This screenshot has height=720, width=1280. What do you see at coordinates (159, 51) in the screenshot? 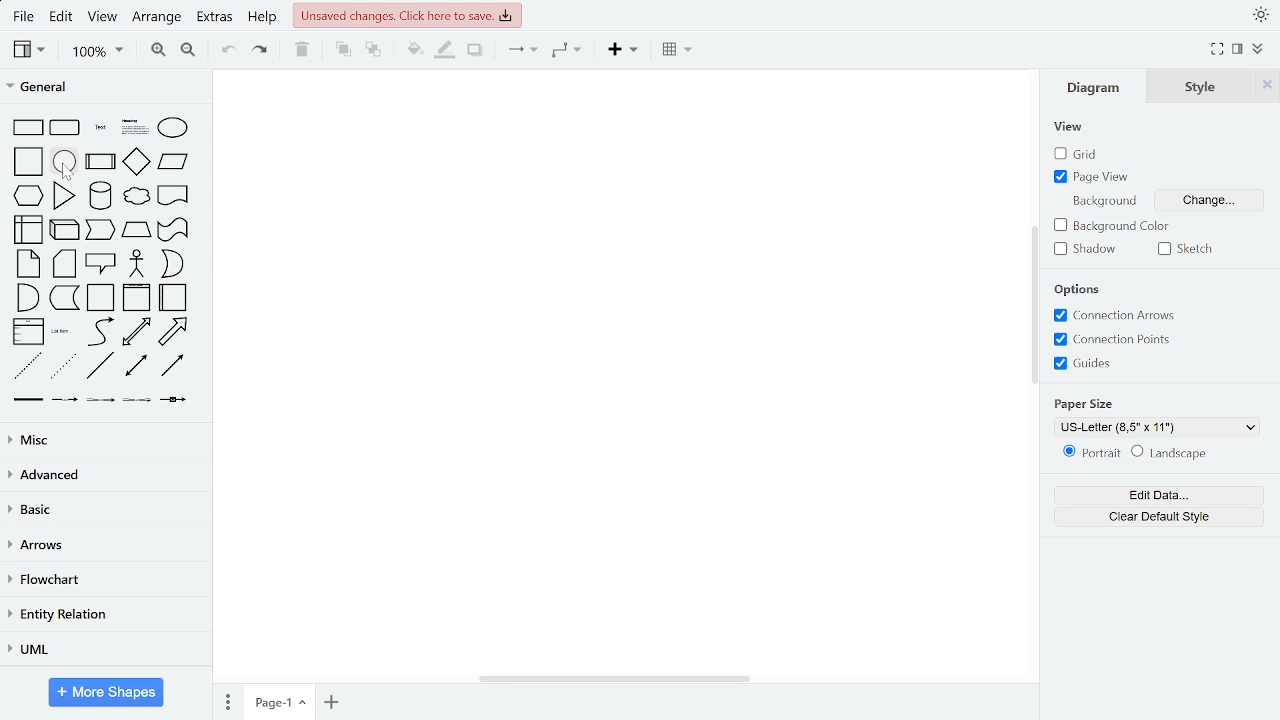
I see `zoom in` at bounding box center [159, 51].